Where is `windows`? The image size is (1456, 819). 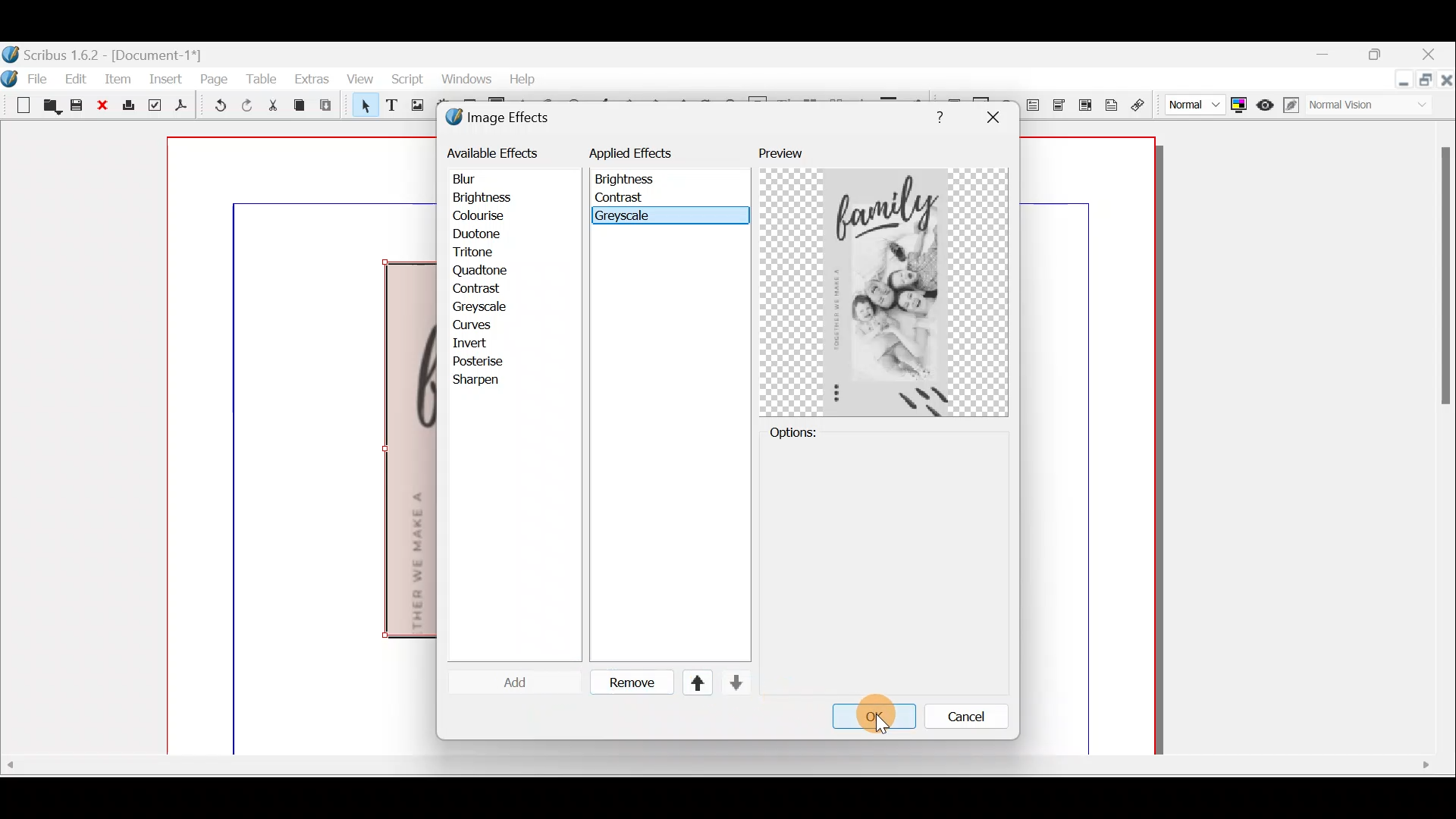 windows is located at coordinates (469, 80).